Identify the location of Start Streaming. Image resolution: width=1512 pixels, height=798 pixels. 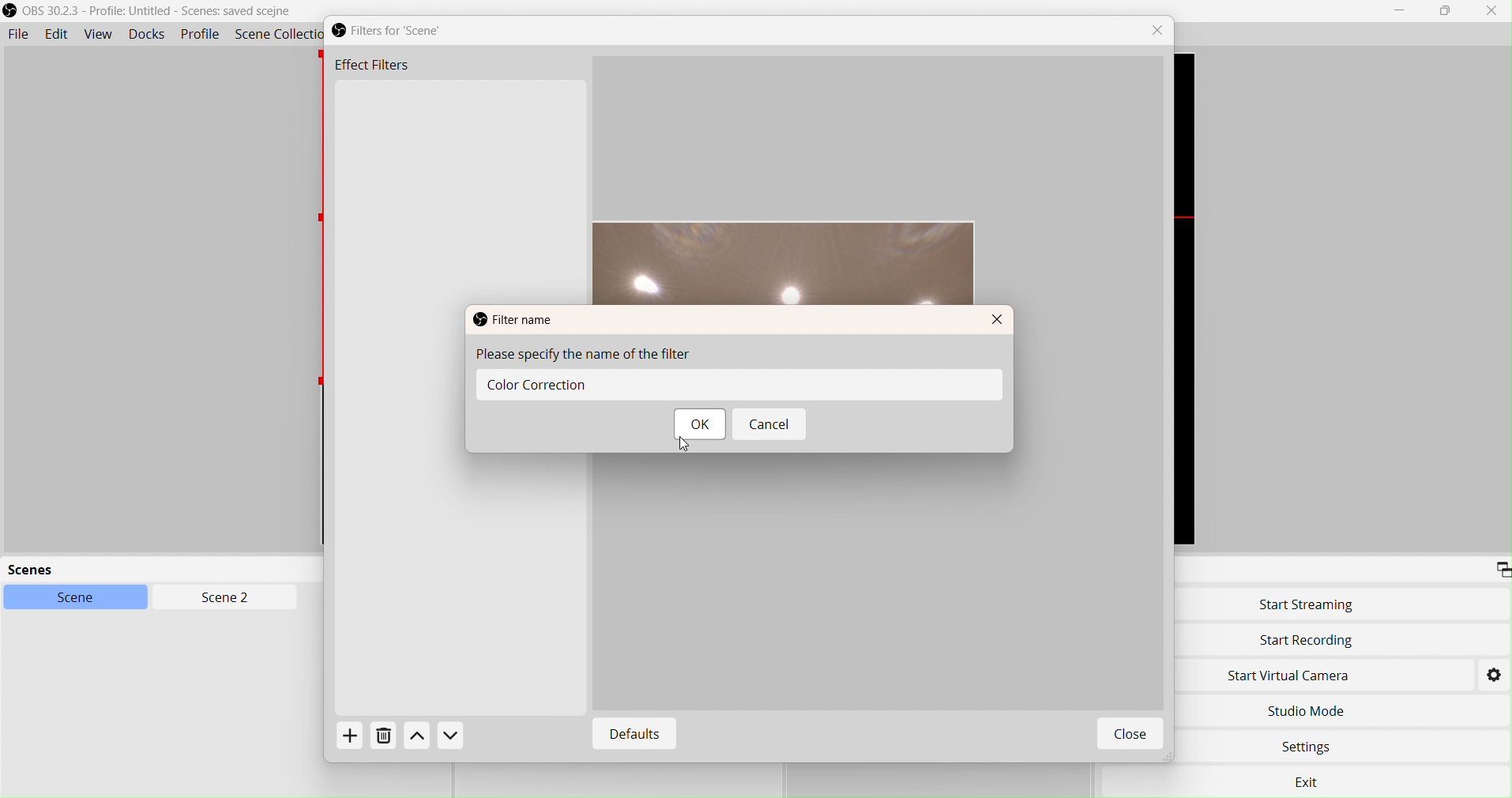
(1307, 604).